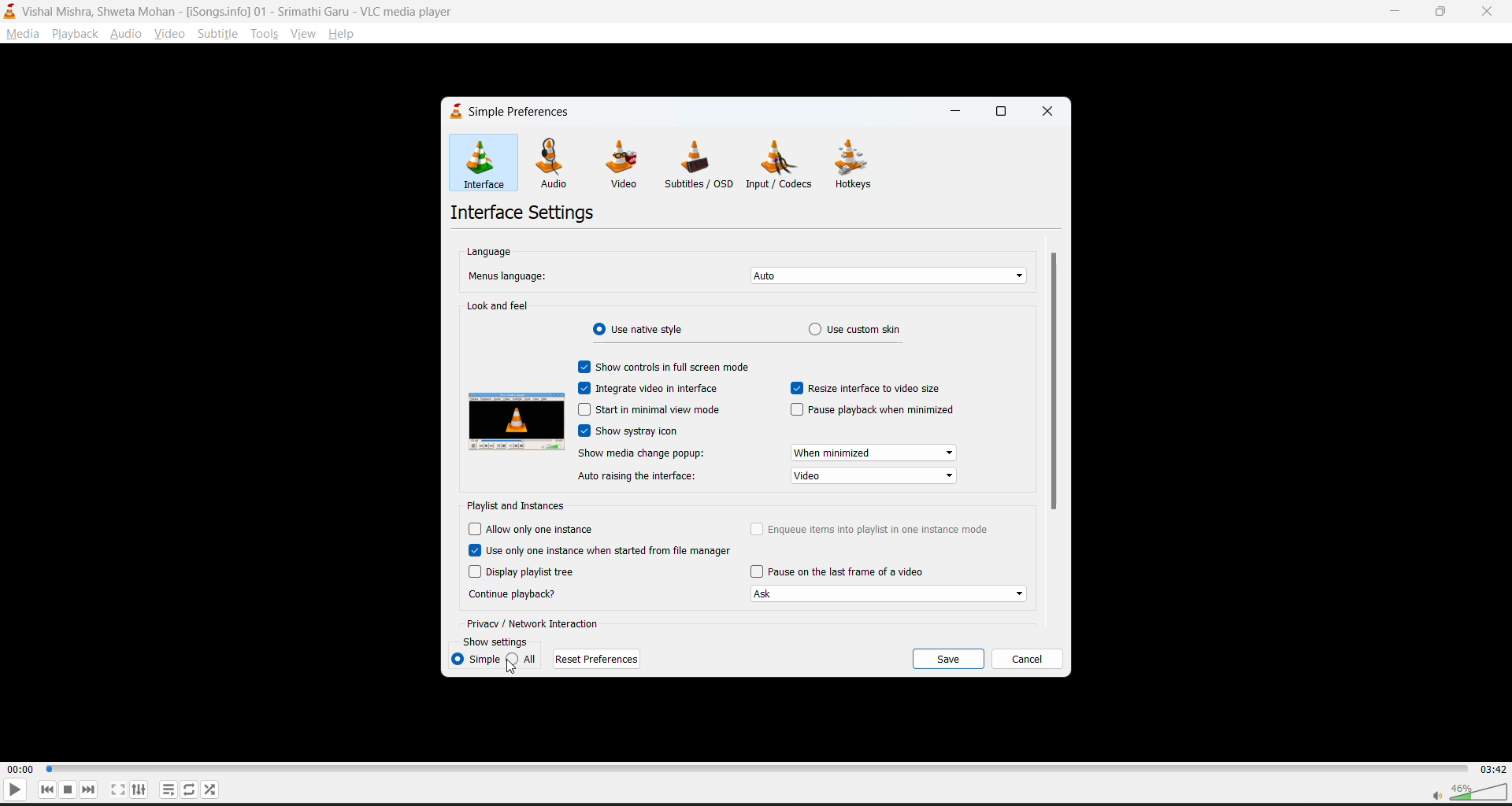  What do you see at coordinates (640, 327) in the screenshot?
I see `use native style` at bounding box center [640, 327].